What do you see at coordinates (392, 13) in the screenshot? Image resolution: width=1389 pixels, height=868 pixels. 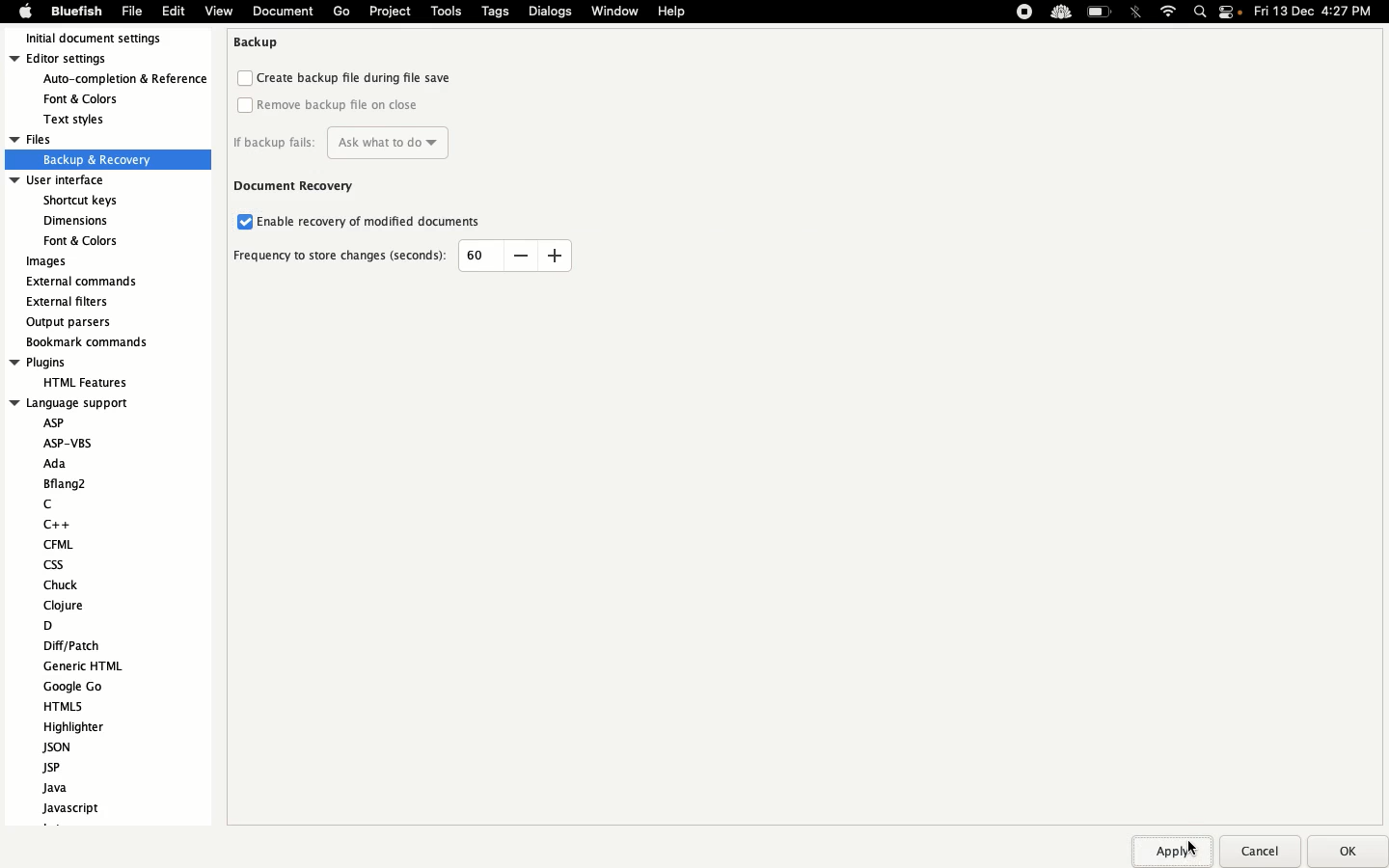 I see `Project ` at bounding box center [392, 13].